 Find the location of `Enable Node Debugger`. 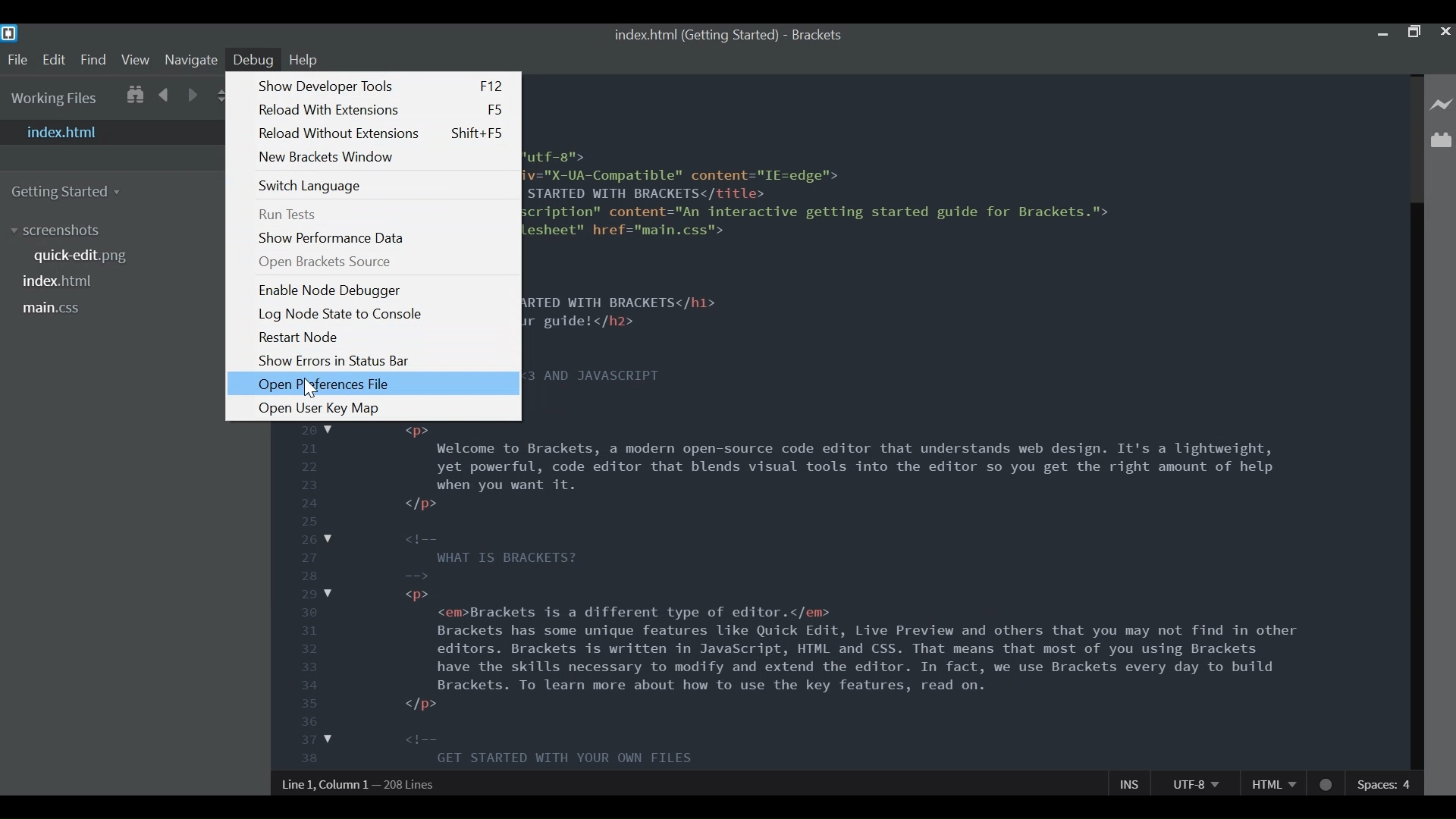

Enable Node Debugger is located at coordinates (331, 290).